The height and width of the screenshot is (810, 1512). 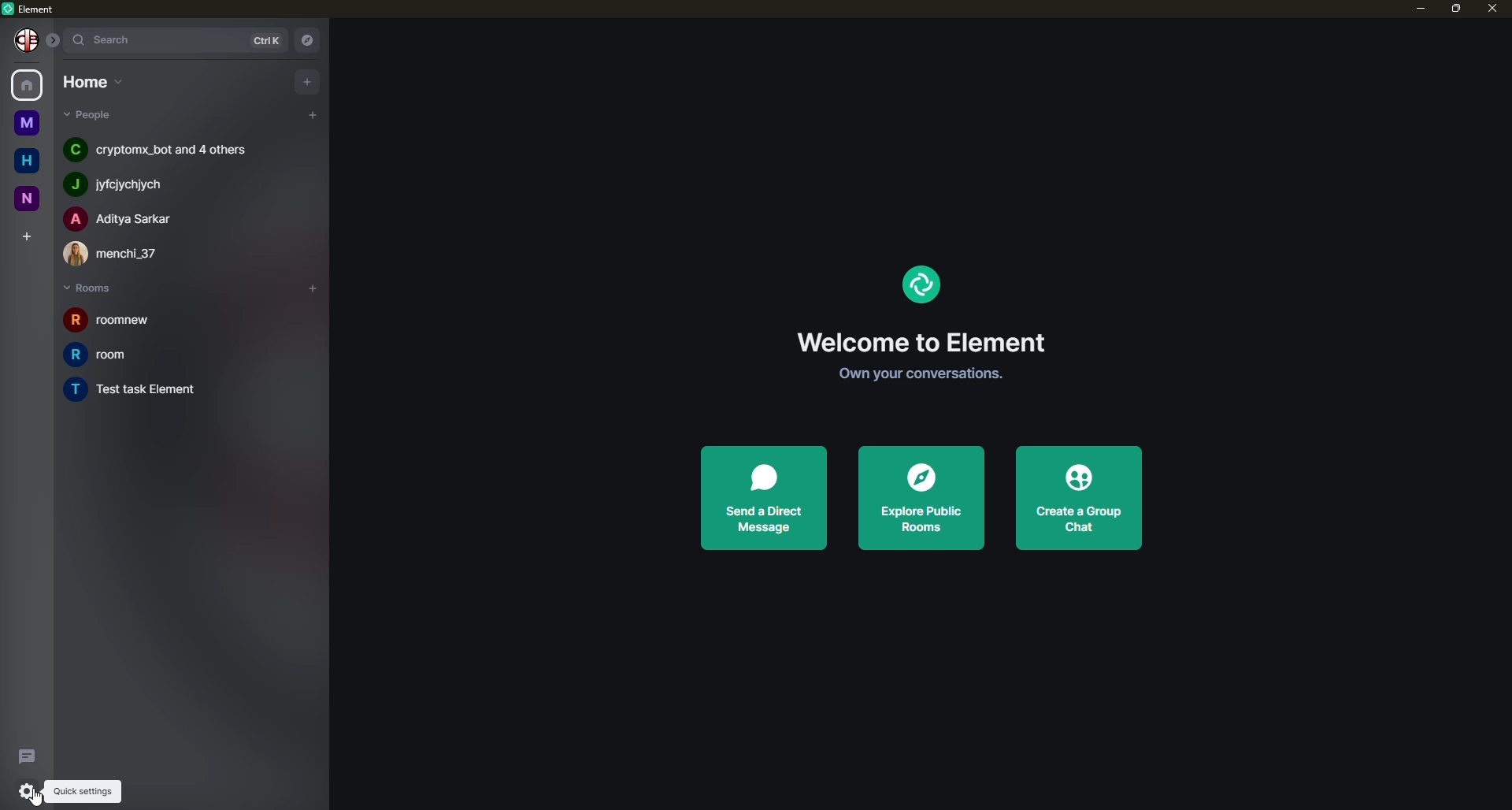 What do you see at coordinates (914, 373) in the screenshot?
I see `get started` at bounding box center [914, 373].